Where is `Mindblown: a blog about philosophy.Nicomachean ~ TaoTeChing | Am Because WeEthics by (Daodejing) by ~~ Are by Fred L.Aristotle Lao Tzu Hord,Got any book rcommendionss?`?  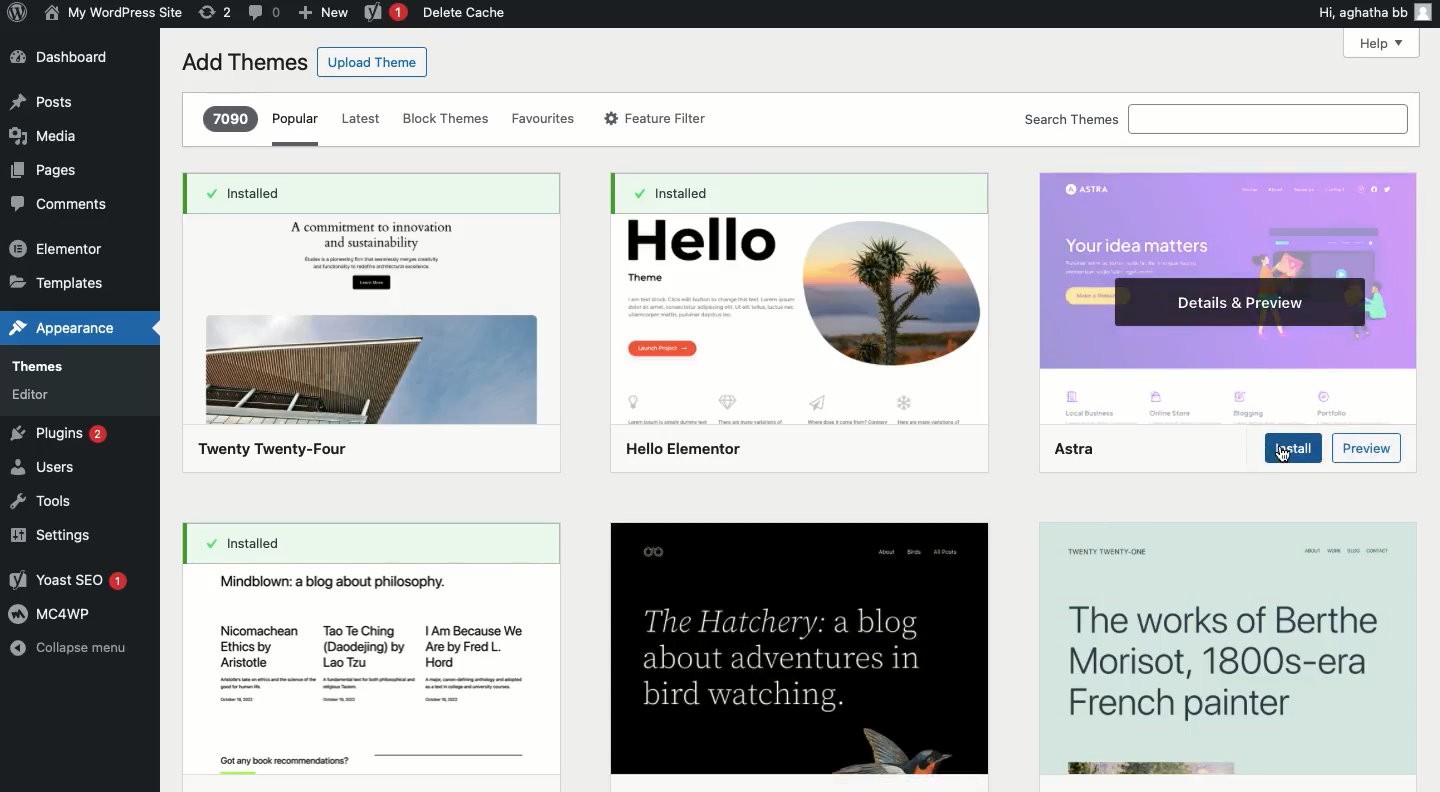 Mindblown: a blog about philosophy.Nicomachean ~ TaoTeChing | Am Because WeEthics by (Daodejing) by ~~ Are by Fred L.Aristotle Lao Tzu Hord,Got any book rcommendionss? is located at coordinates (366, 672).